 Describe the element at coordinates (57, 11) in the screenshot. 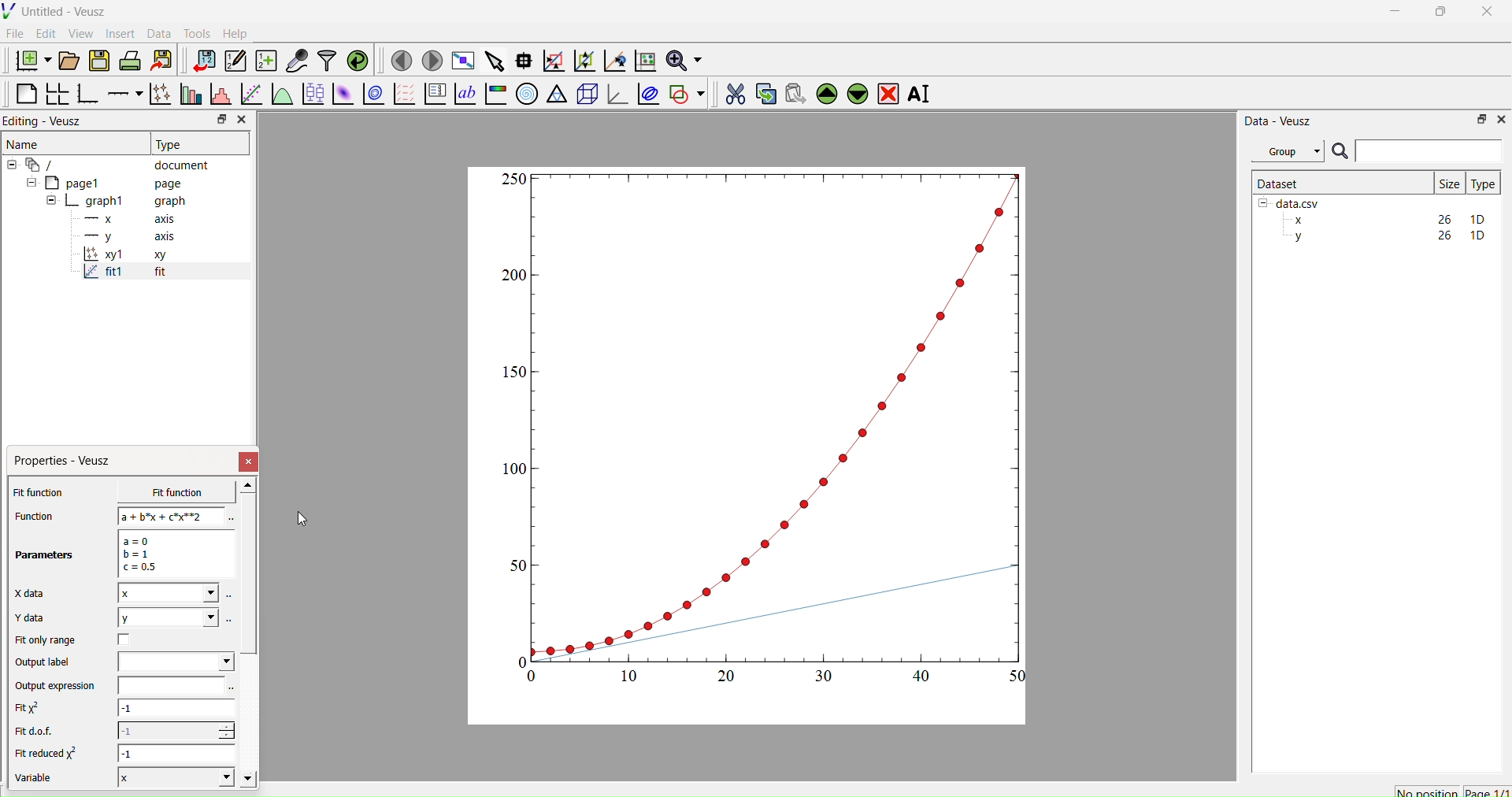

I see `Untitled - Veusz` at that location.